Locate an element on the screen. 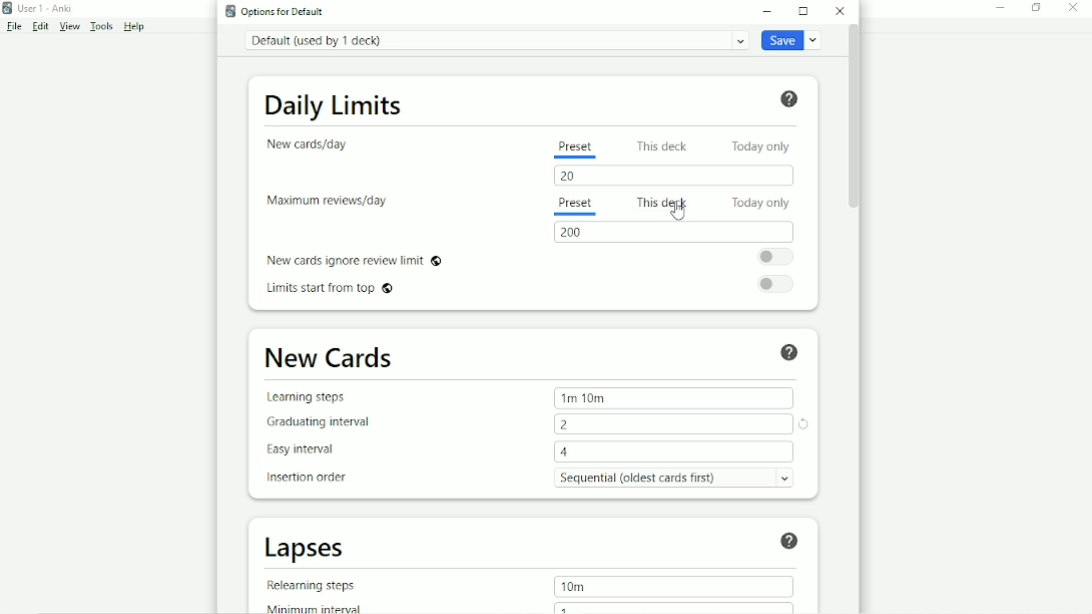  Default (used by 1 deck) is located at coordinates (495, 40).